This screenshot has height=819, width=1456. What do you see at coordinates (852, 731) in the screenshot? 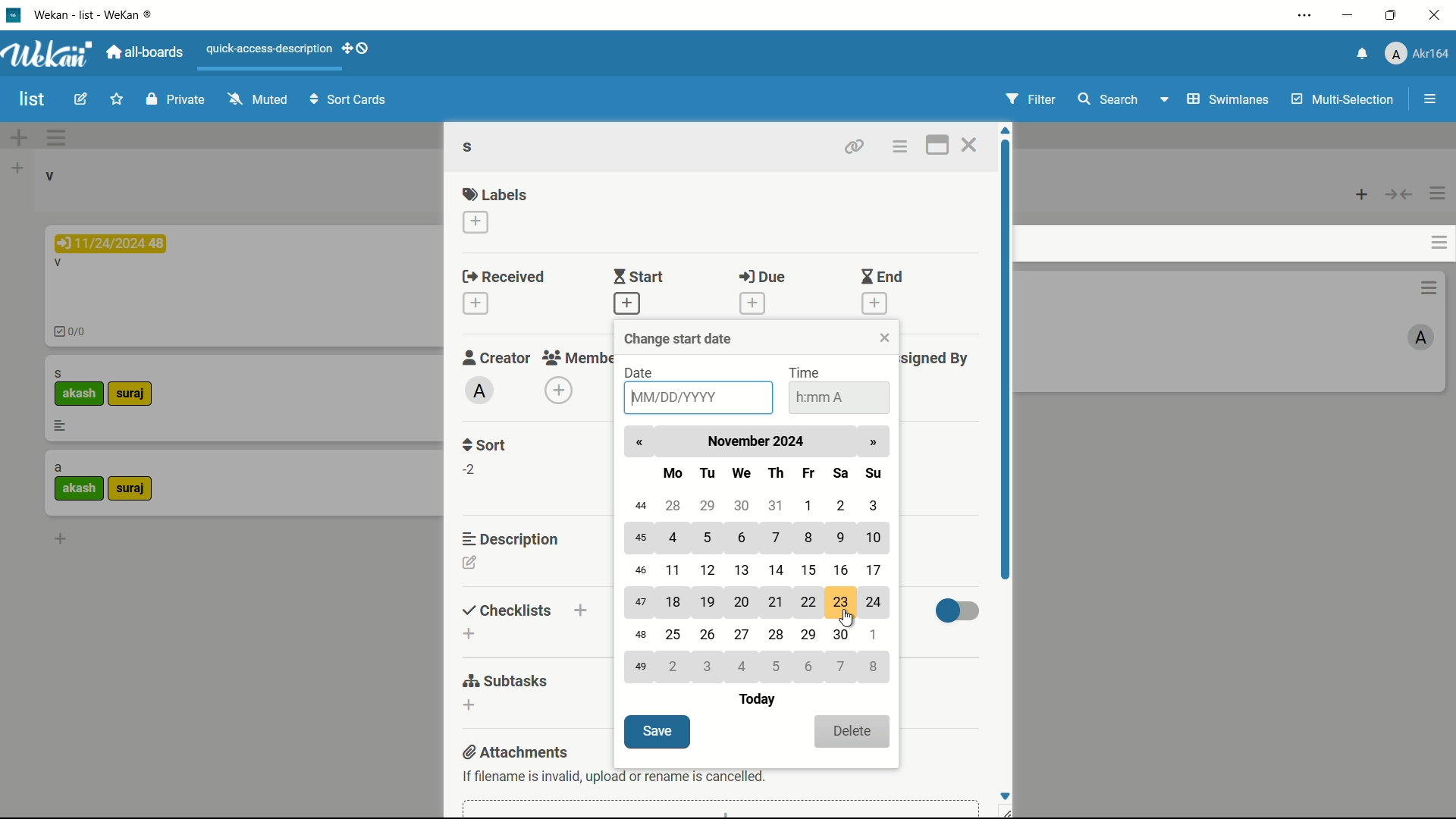
I see `delete` at bounding box center [852, 731].